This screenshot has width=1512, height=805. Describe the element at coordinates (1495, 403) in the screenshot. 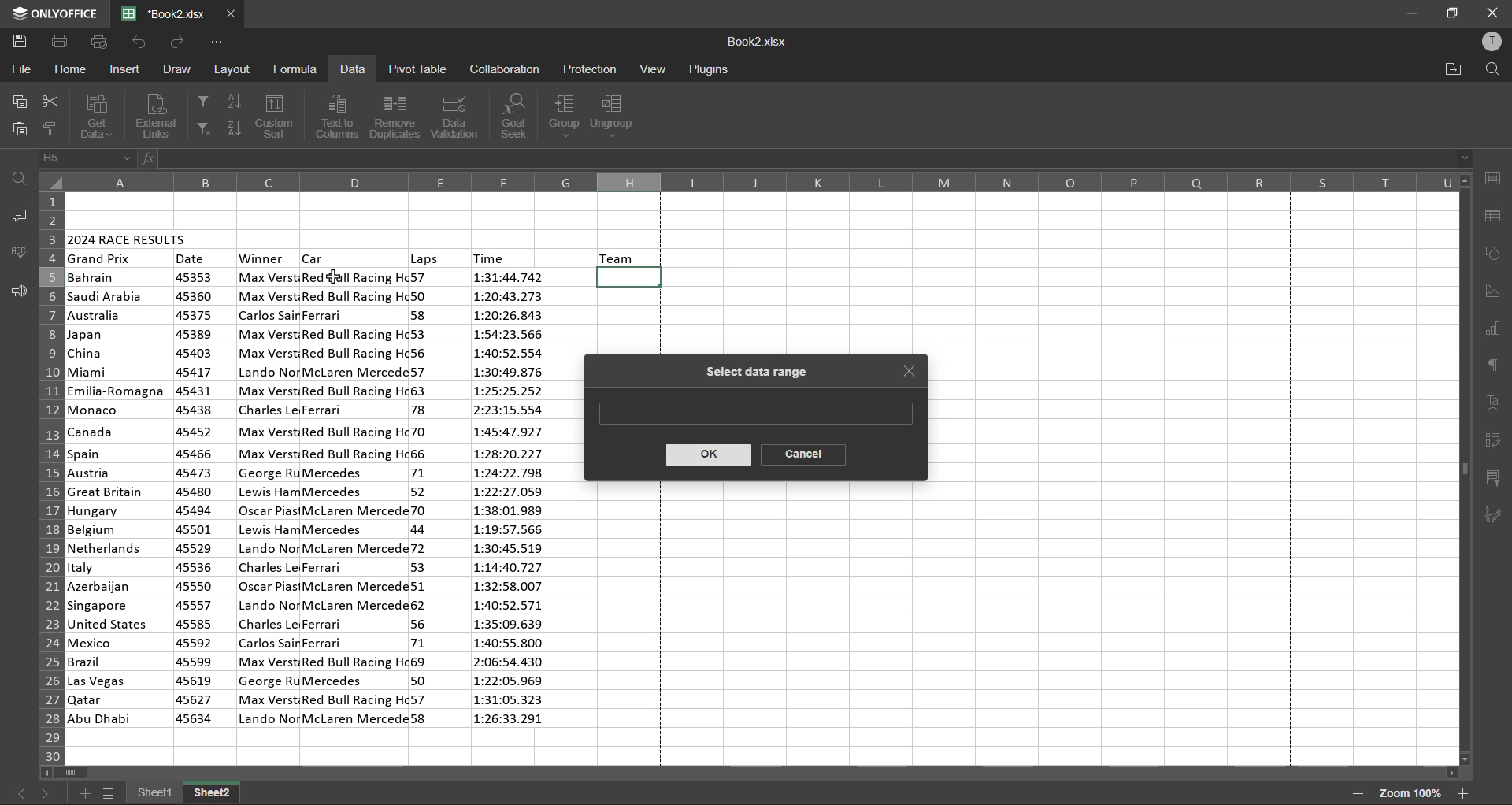

I see `text` at that location.